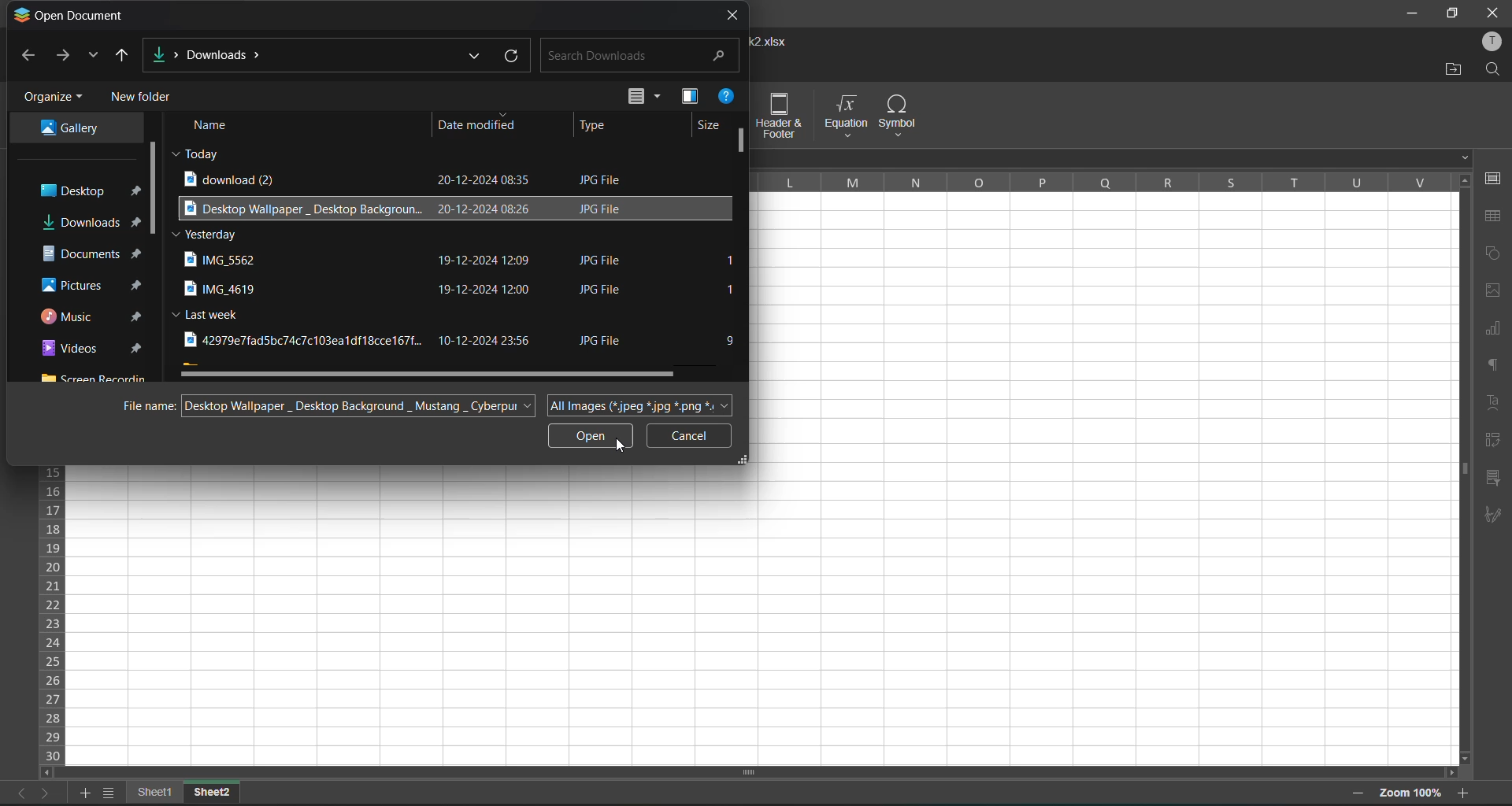 The height and width of the screenshot is (806, 1512). Describe the element at coordinates (736, 14) in the screenshot. I see `close tab` at that location.